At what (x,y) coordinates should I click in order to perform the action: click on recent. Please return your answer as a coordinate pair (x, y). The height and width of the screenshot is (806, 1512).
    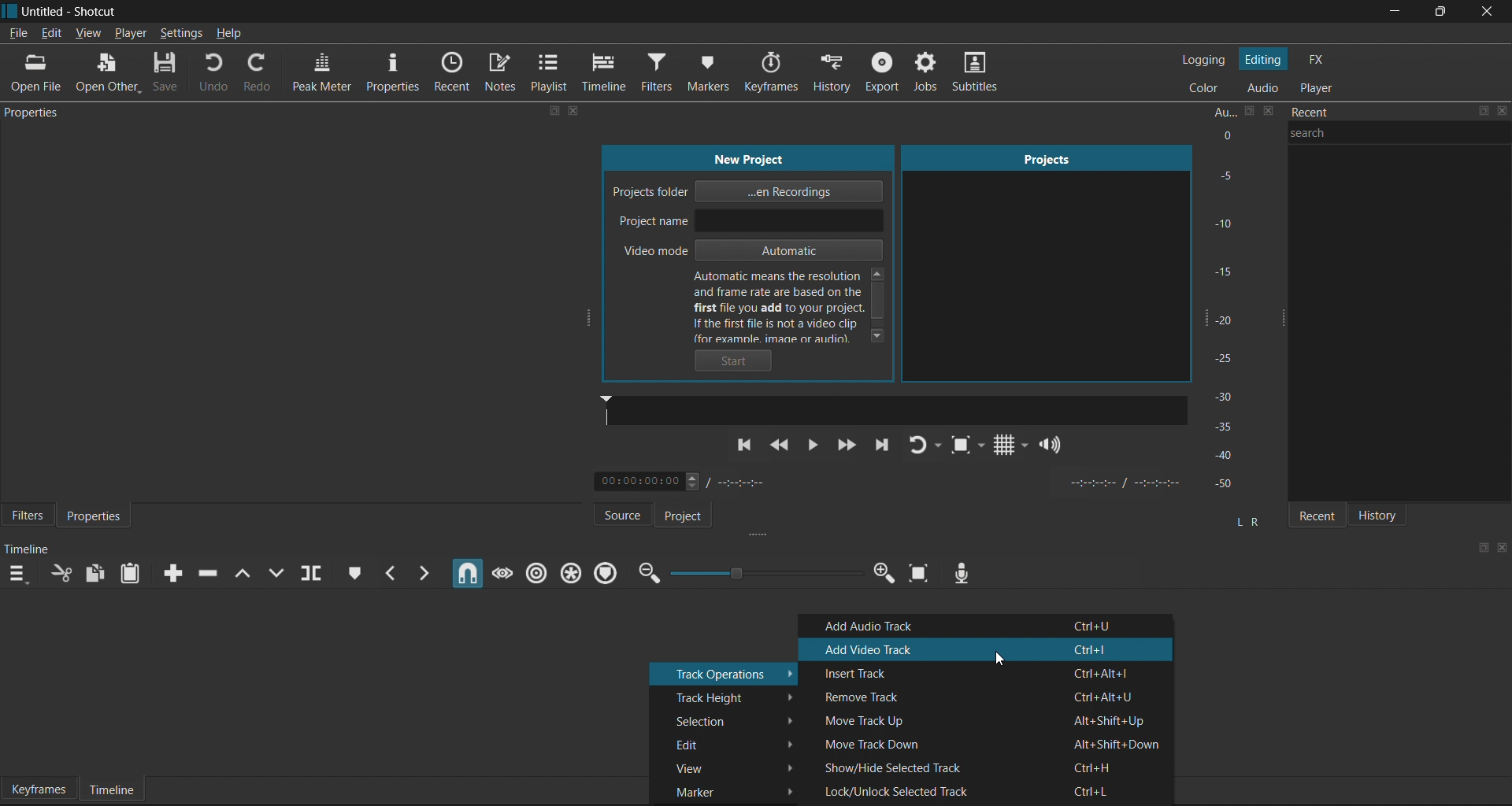
    Looking at the image, I should click on (1360, 114).